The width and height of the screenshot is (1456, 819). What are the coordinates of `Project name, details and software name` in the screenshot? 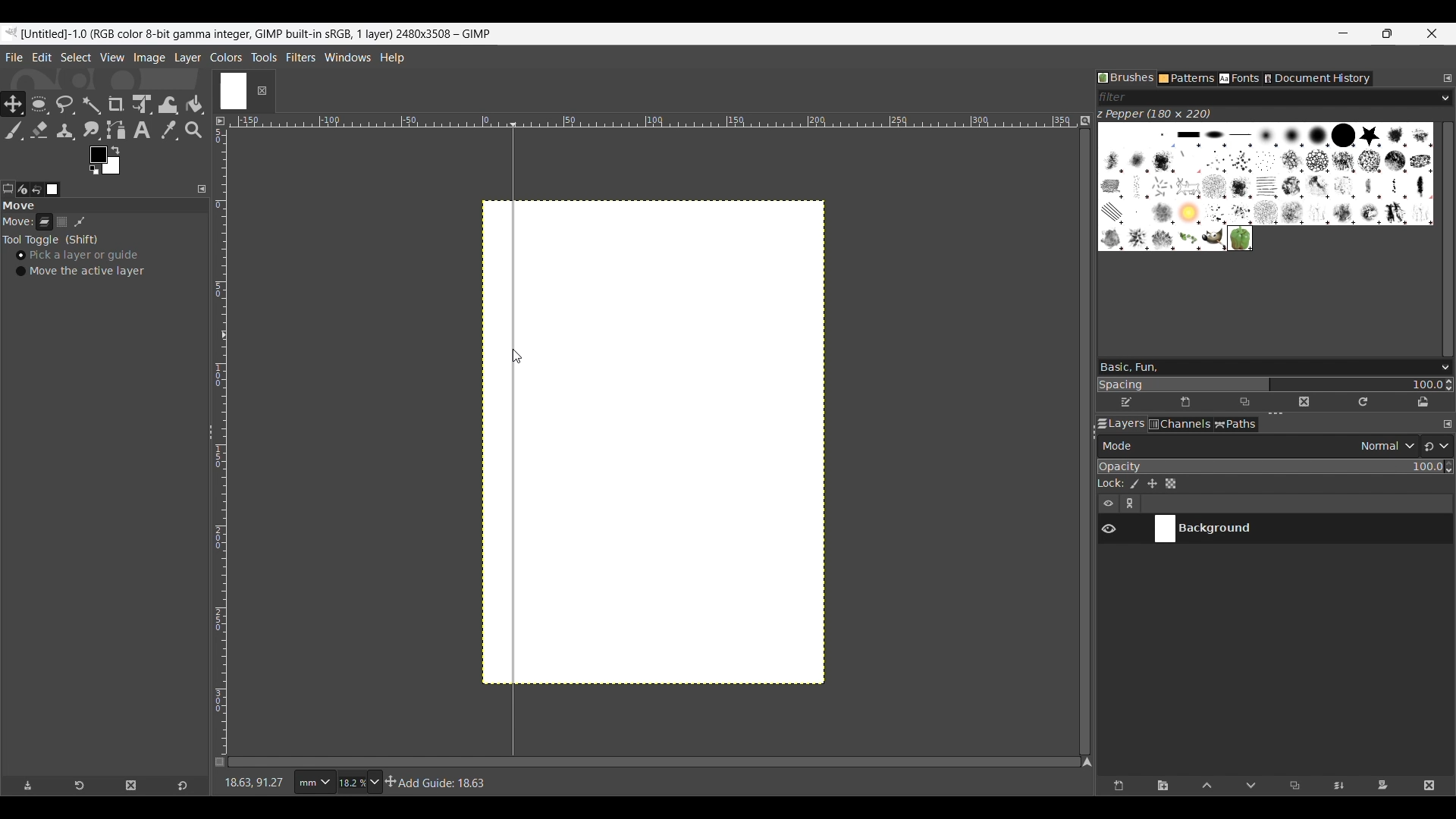 It's located at (261, 34).